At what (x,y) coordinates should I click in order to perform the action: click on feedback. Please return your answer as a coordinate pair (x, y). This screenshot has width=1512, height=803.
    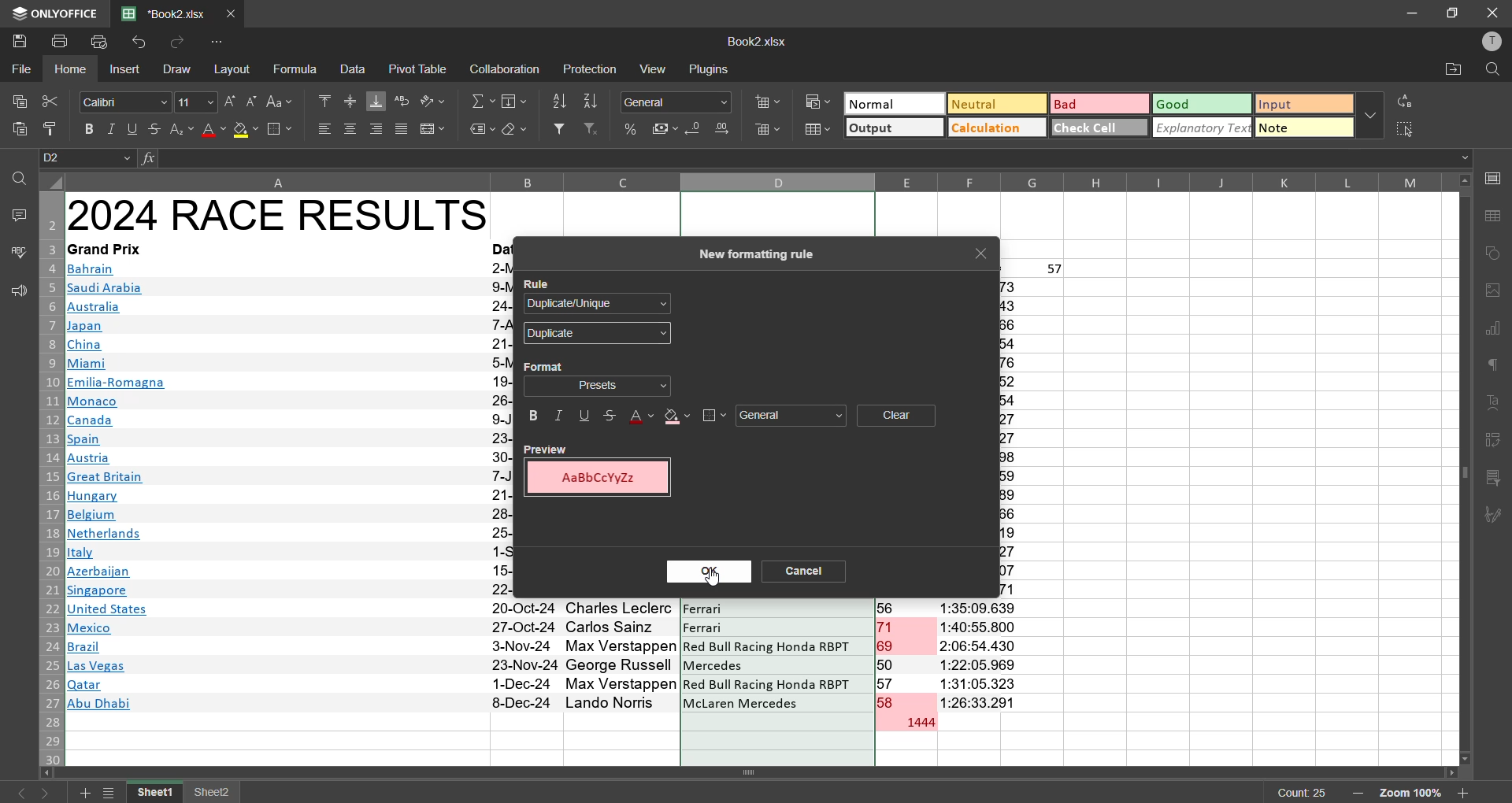
    Looking at the image, I should click on (16, 291).